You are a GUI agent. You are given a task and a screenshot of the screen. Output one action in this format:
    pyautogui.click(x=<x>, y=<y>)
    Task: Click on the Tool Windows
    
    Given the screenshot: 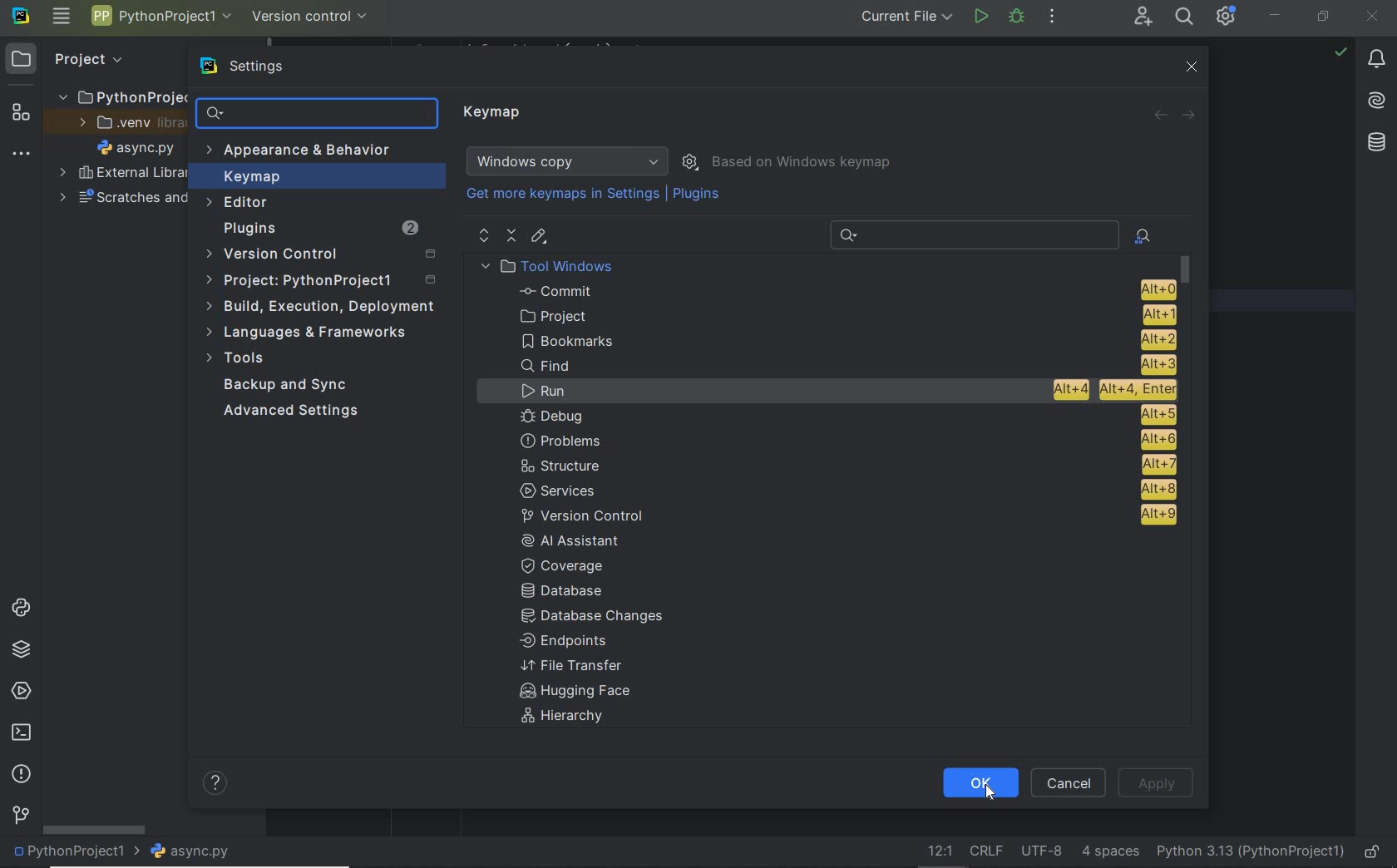 What is the action you would take?
    pyautogui.click(x=554, y=266)
    